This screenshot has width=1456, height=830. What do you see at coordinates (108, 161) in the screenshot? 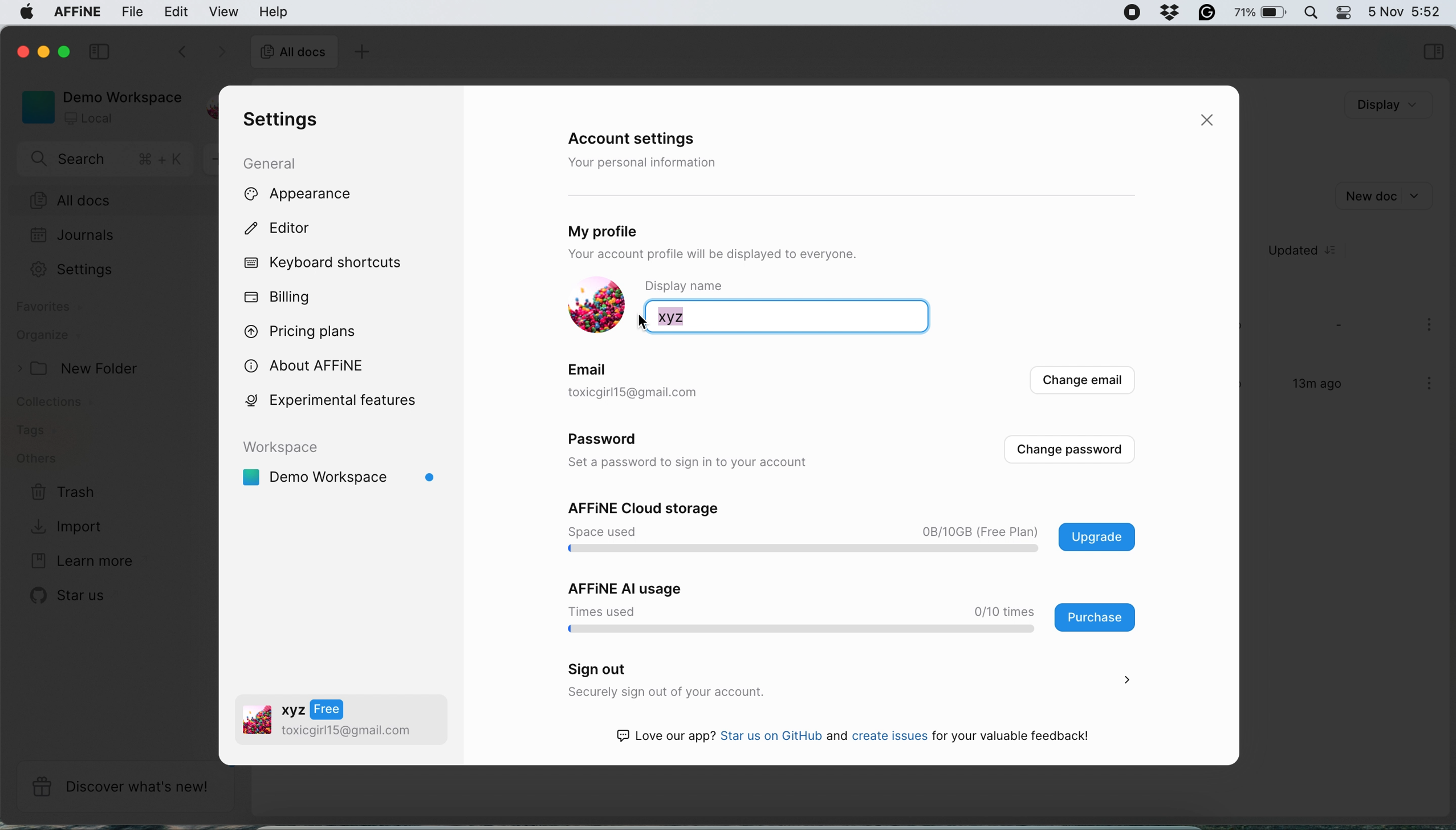
I see `search` at bounding box center [108, 161].